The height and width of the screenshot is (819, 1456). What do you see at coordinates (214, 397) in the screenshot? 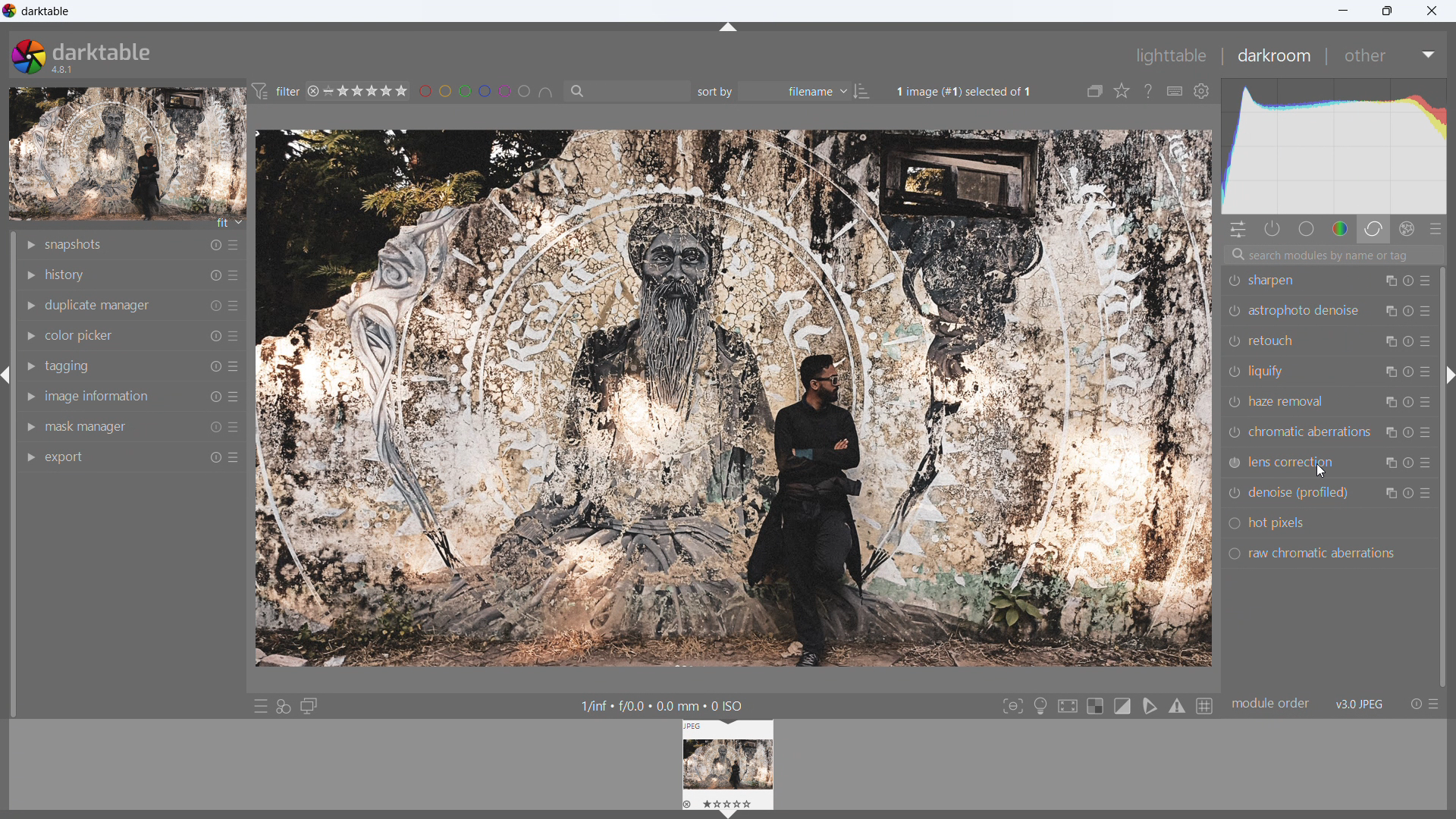
I see `reset` at bounding box center [214, 397].